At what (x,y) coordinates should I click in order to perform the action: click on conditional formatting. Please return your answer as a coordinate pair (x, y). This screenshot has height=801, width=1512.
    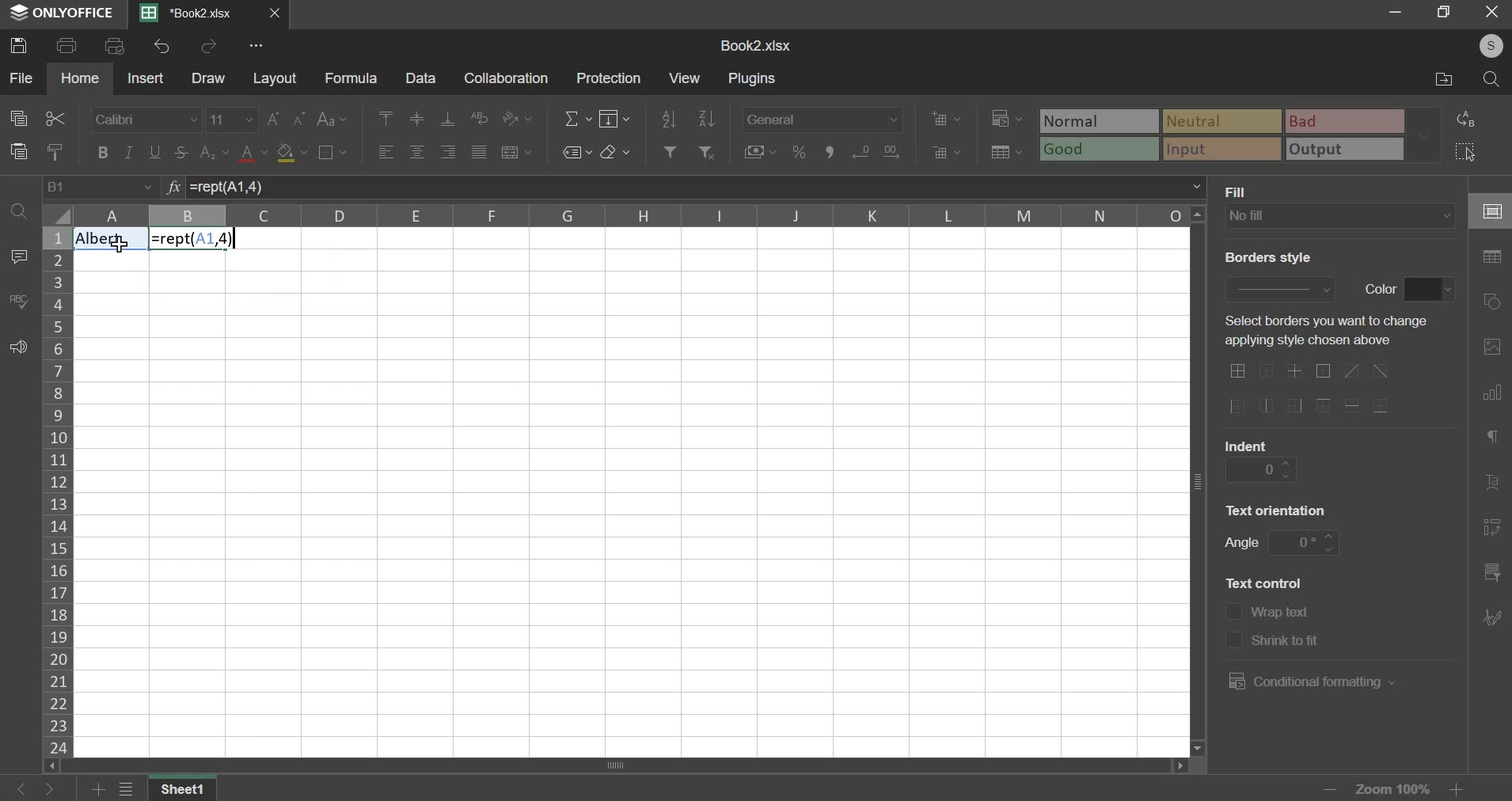
    Looking at the image, I should click on (1006, 116).